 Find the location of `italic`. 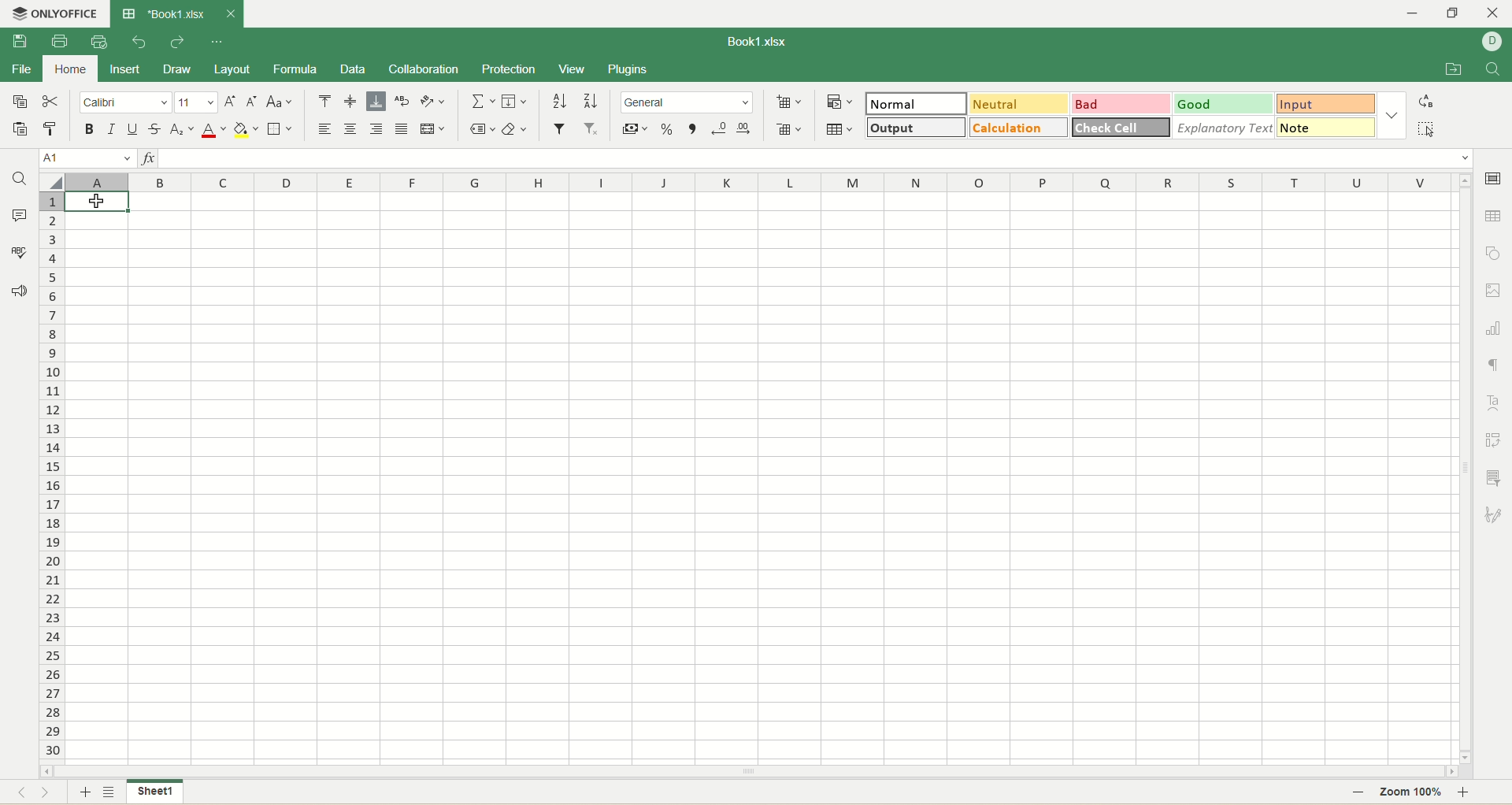

italic is located at coordinates (113, 128).